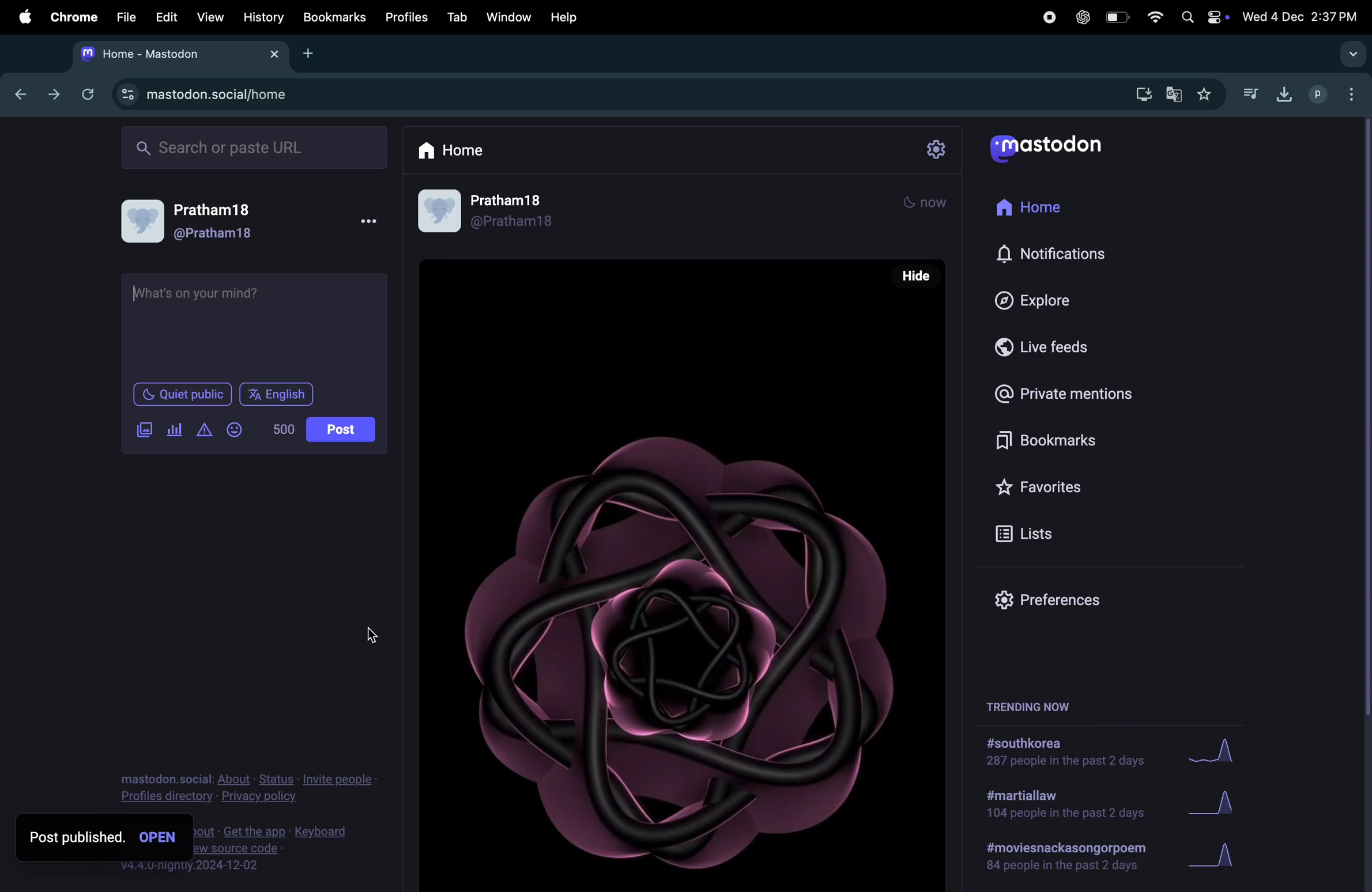 The height and width of the screenshot is (892, 1372). Describe the element at coordinates (1175, 95) in the screenshot. I see `translates` at that location.